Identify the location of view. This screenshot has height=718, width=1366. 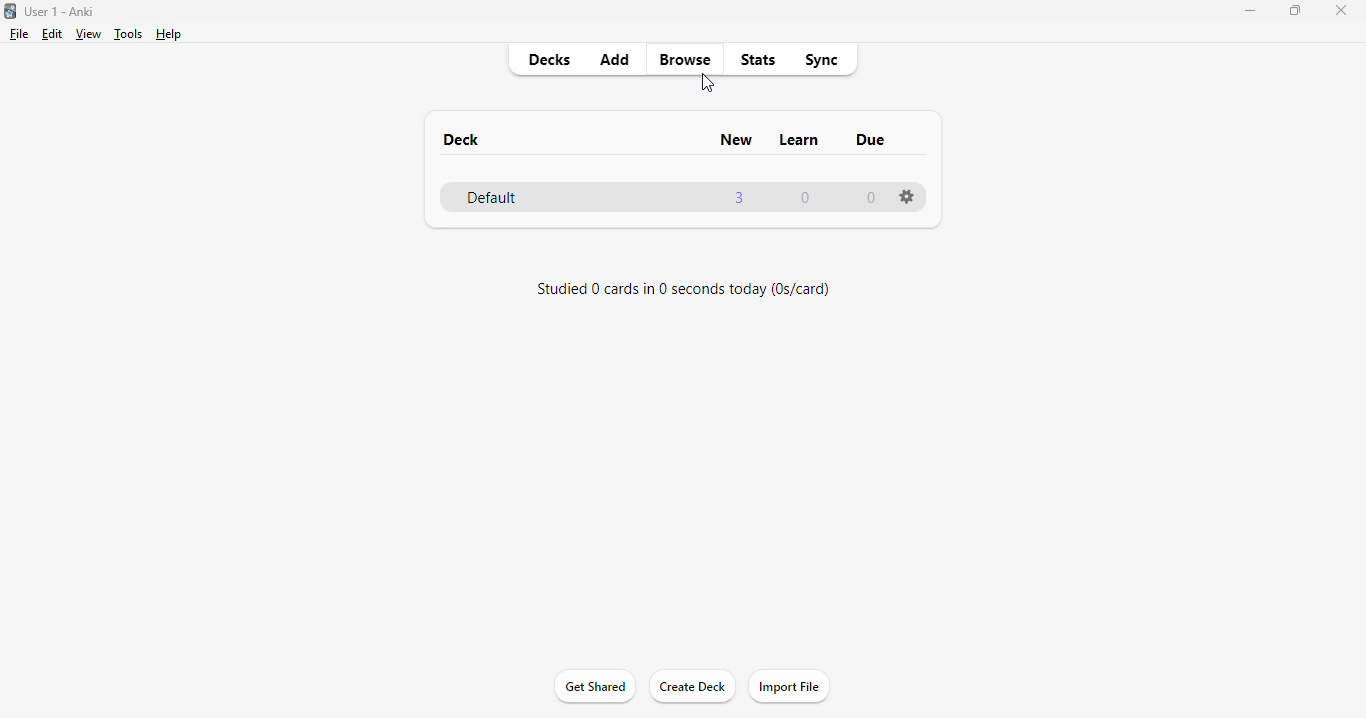
(87, 35).